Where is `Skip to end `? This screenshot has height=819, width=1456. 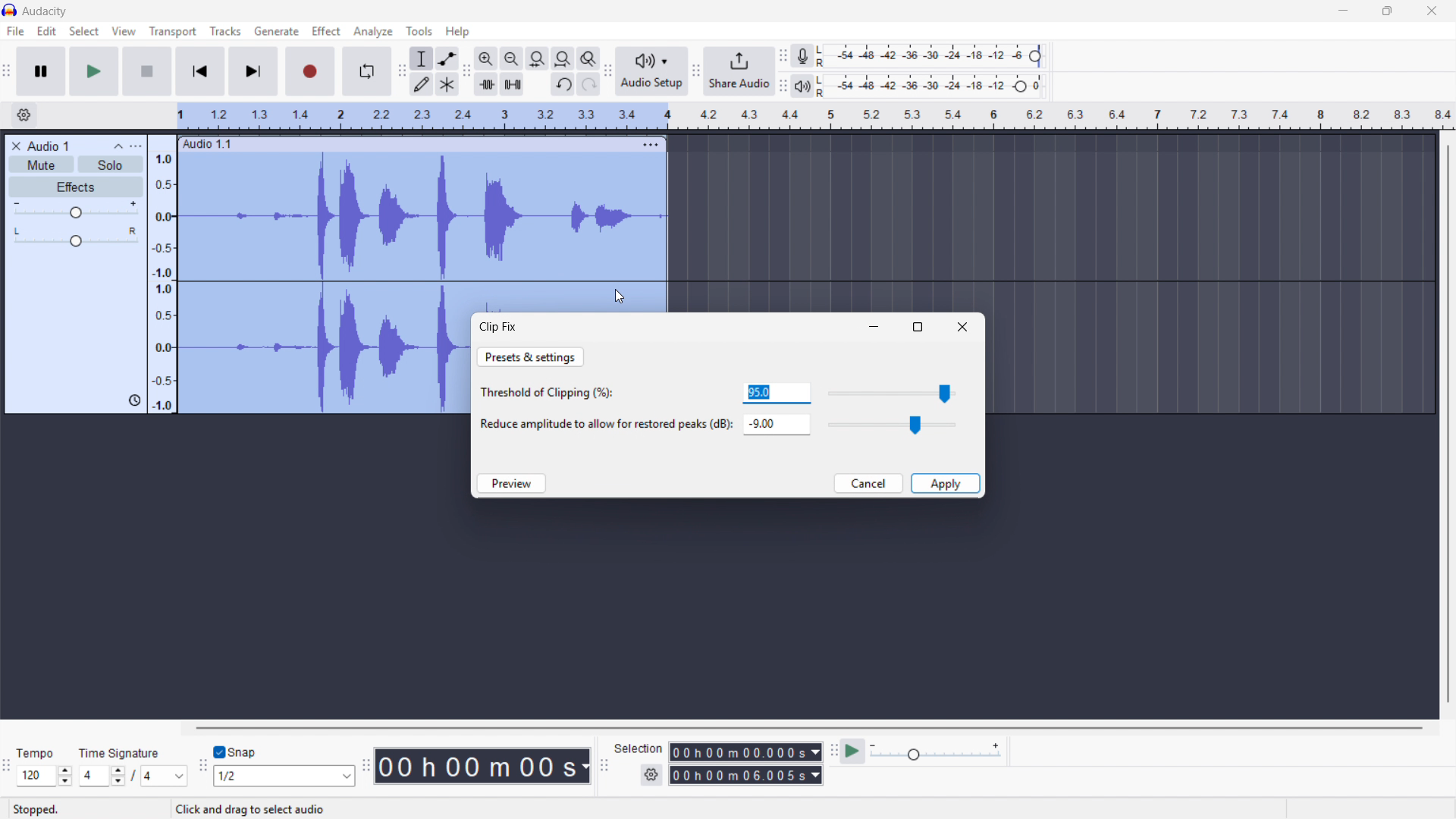
Skip to end  is located at coordinates (254, 71).